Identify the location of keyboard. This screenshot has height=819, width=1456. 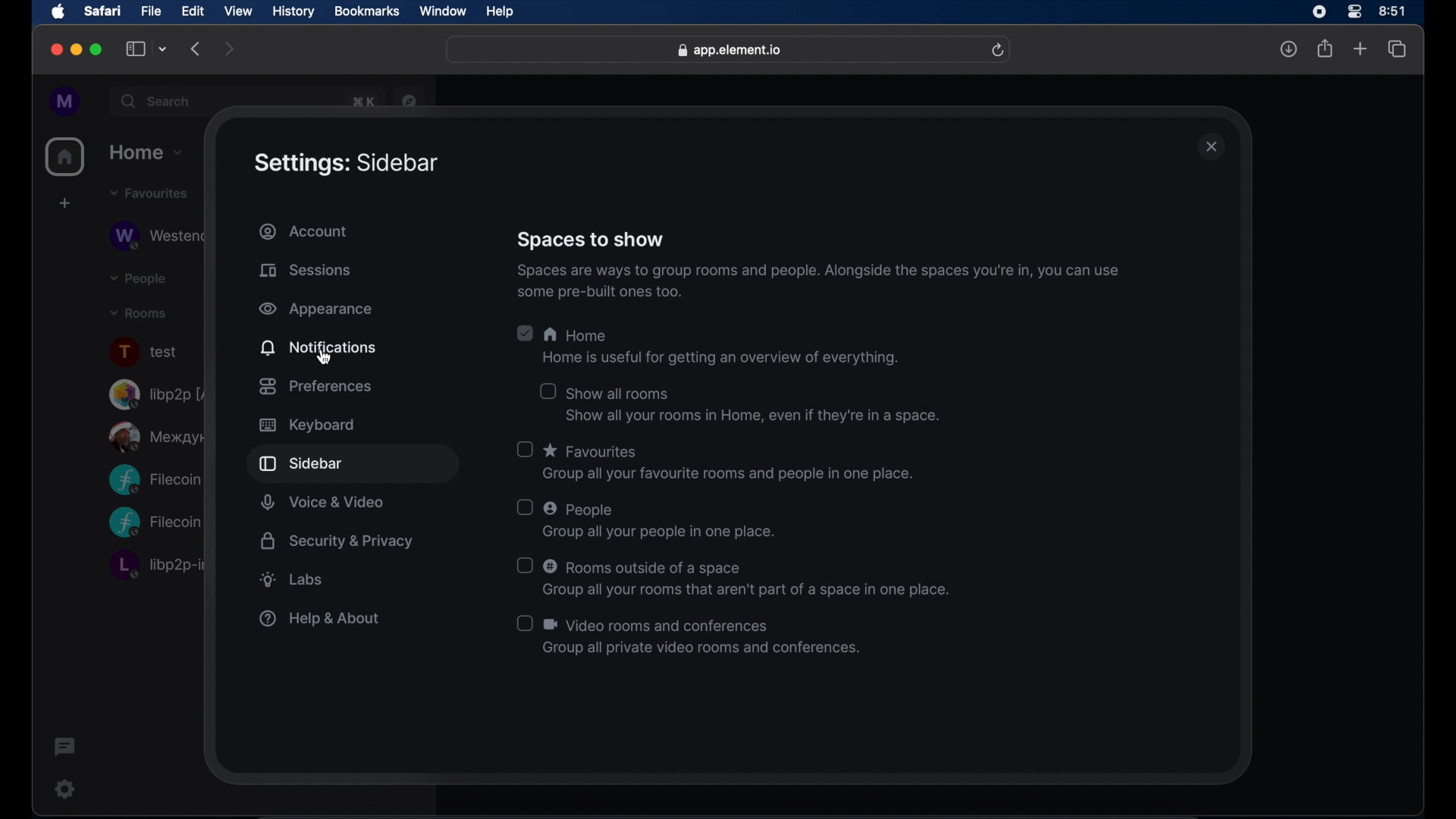
(306, 425).